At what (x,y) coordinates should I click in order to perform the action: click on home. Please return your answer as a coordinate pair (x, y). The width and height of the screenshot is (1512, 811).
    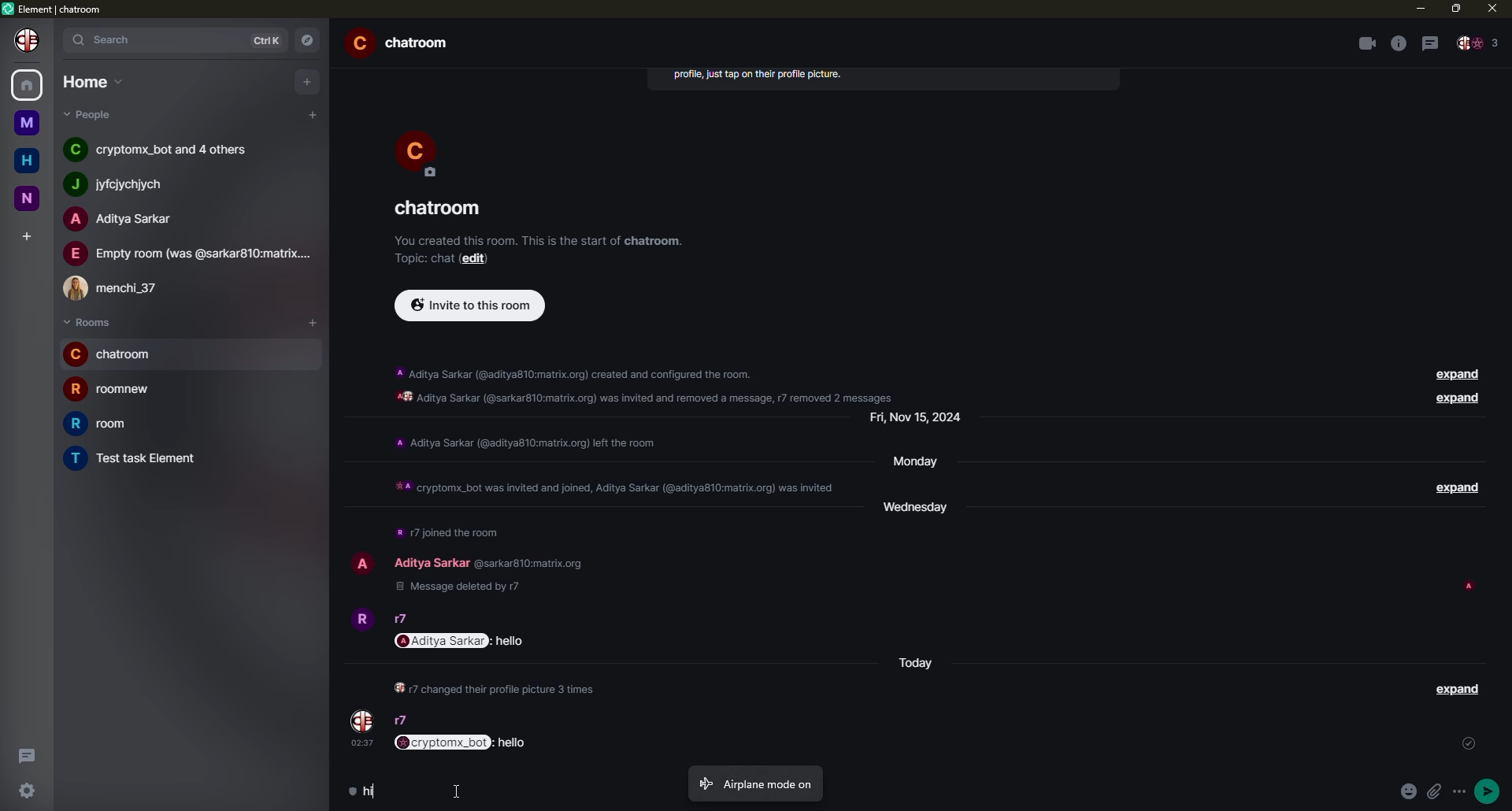
    Looking at the image, I should click on (28, 86).